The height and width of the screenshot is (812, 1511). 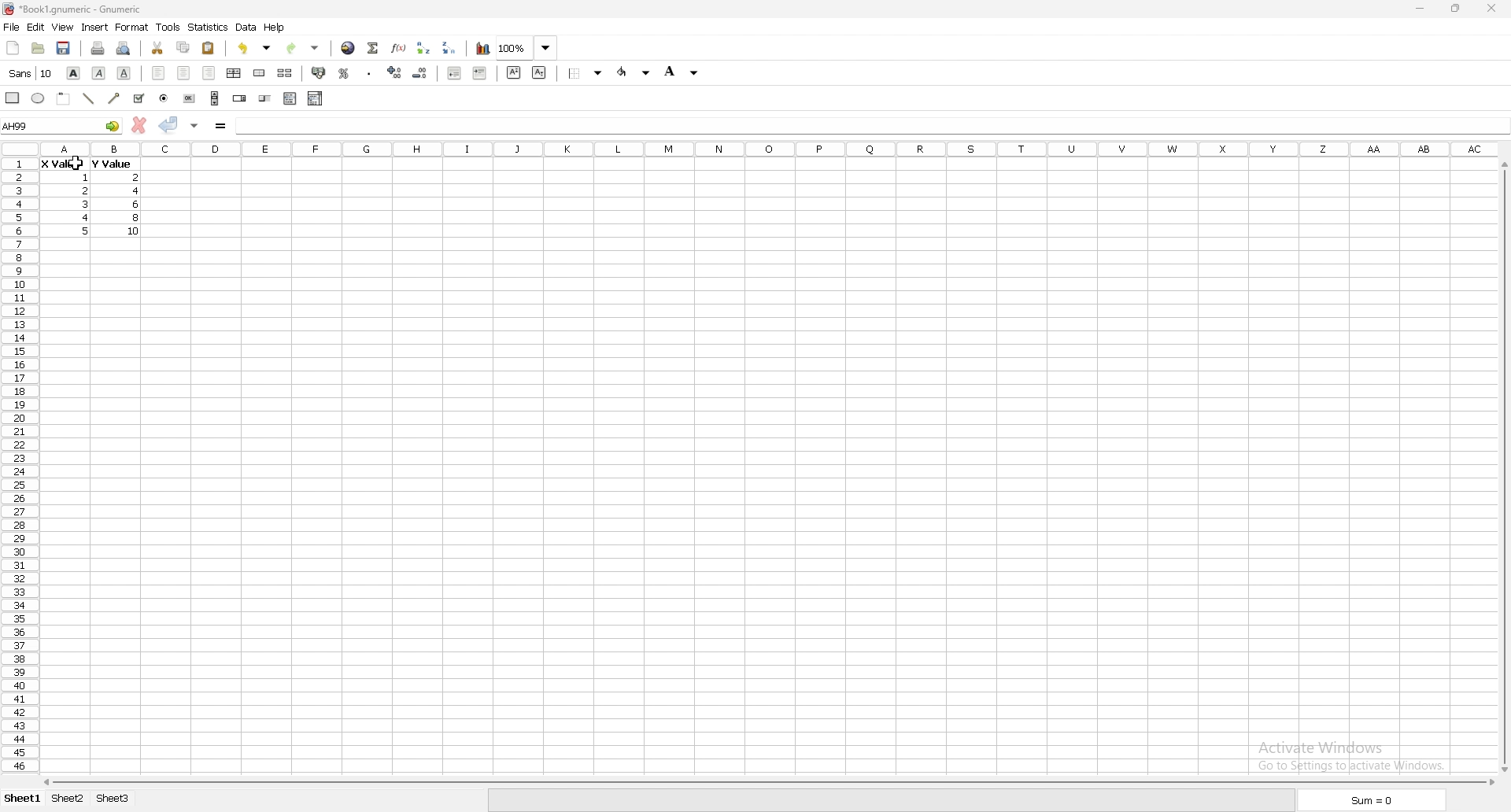 What do you see at coordinates (395, 72) in the screenshot?
I see `increase decimals` at bounding box center [395, 72].